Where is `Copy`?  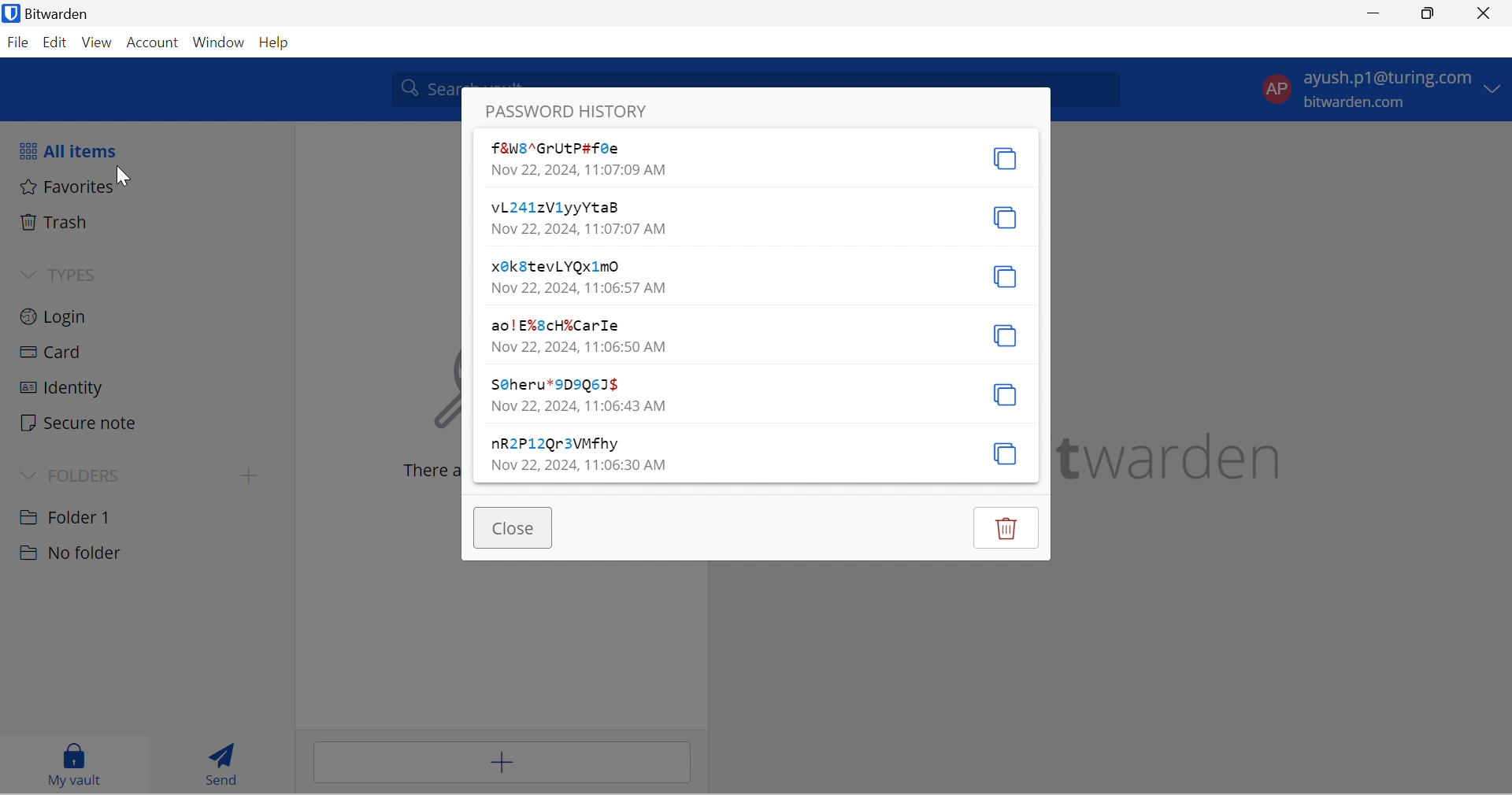 Copy is located at coordinates (1008, 454).